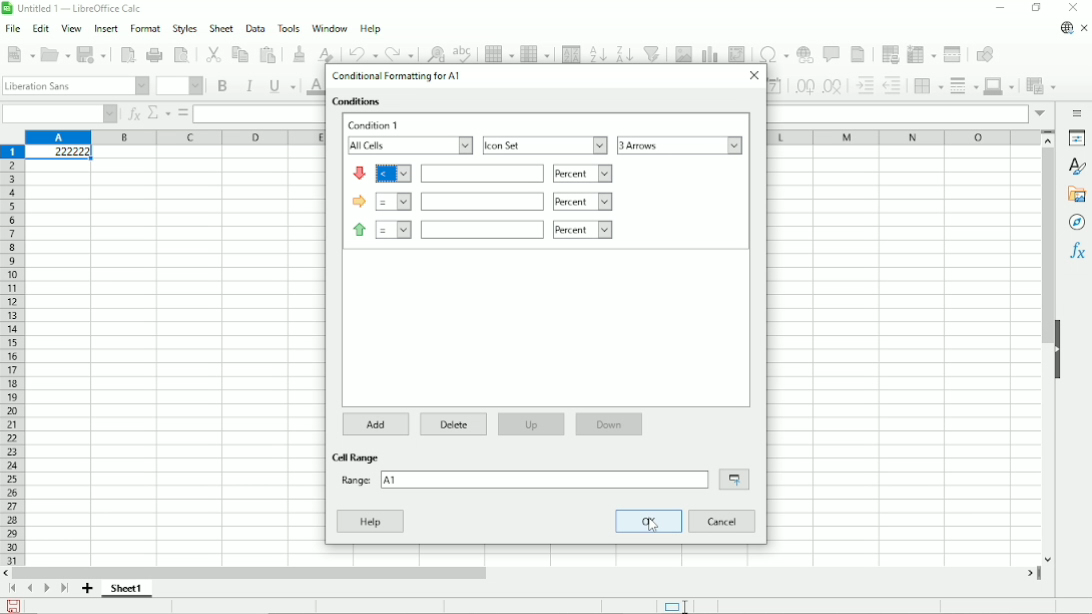 The width and height of the screenshot is (1092, 614). What do you see at coordinates (963, 85) in the screenshot?
I see `Border styles` at bounding box center [963, 85].